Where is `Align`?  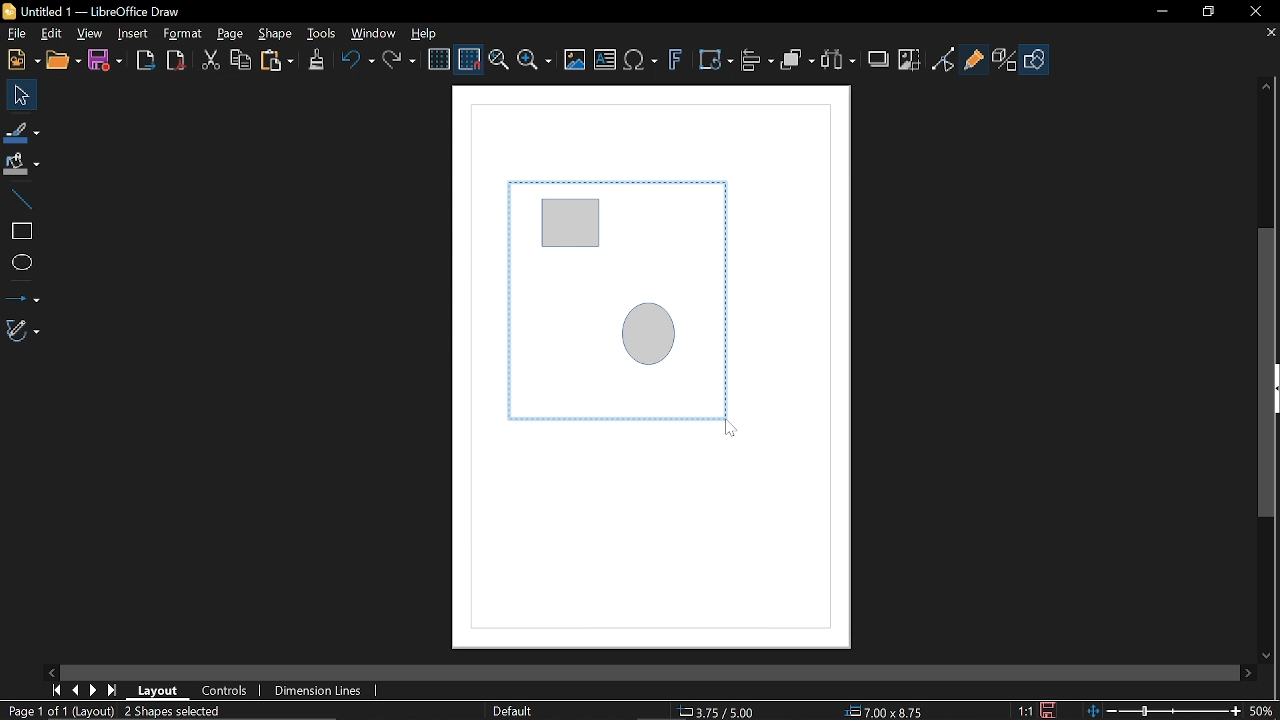
Align is located at coordinates (757, 62).